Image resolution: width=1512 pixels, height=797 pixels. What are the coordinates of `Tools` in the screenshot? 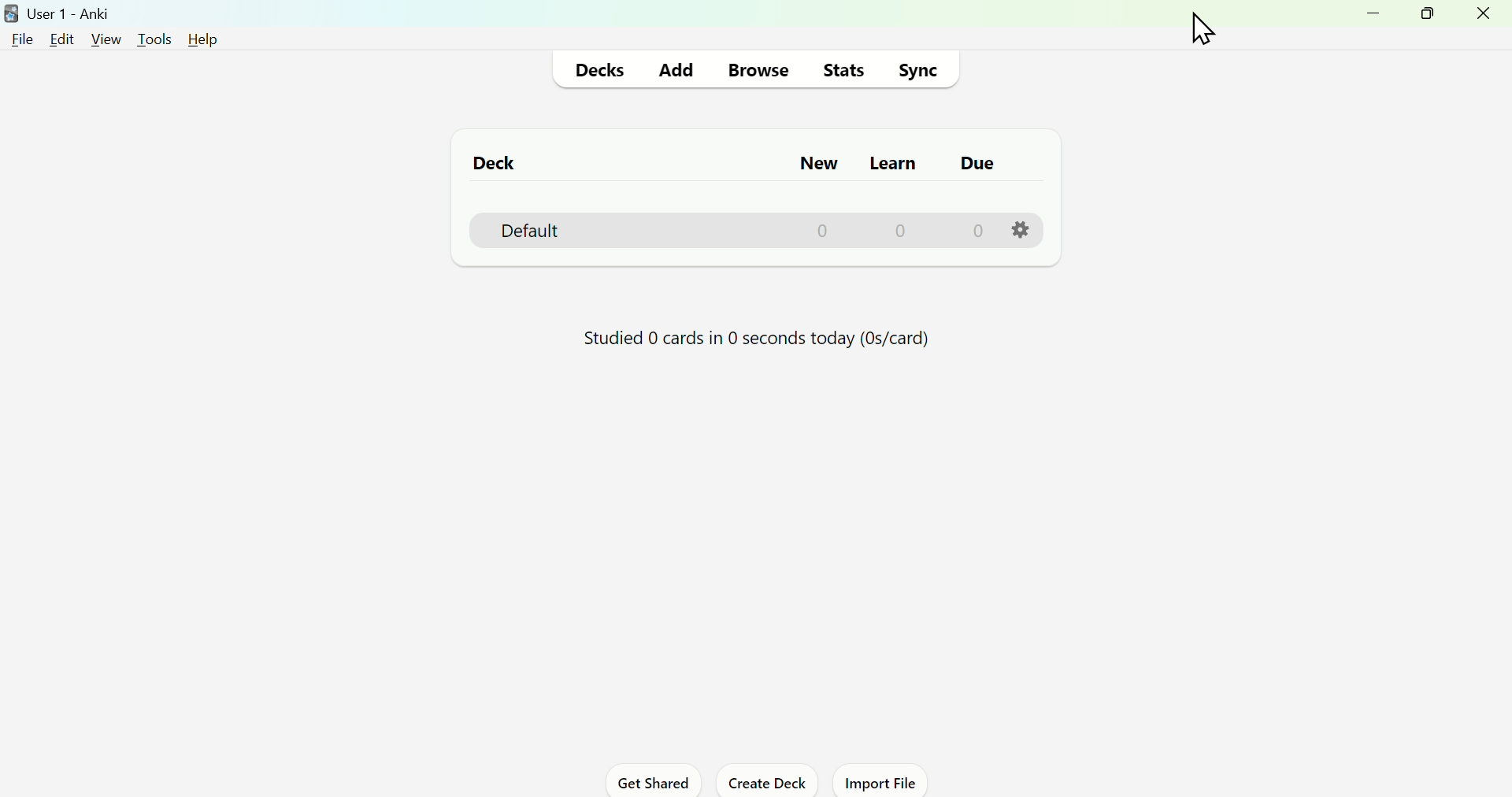 It's located at (154, 40).